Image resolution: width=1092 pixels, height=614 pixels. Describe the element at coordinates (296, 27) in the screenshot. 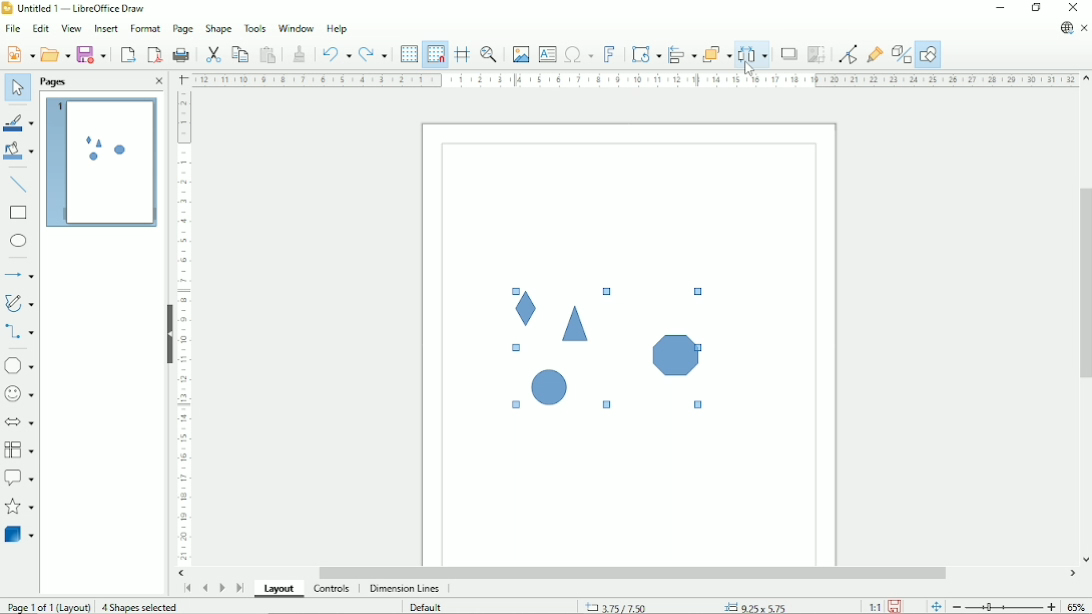

I see `Window` at that location.